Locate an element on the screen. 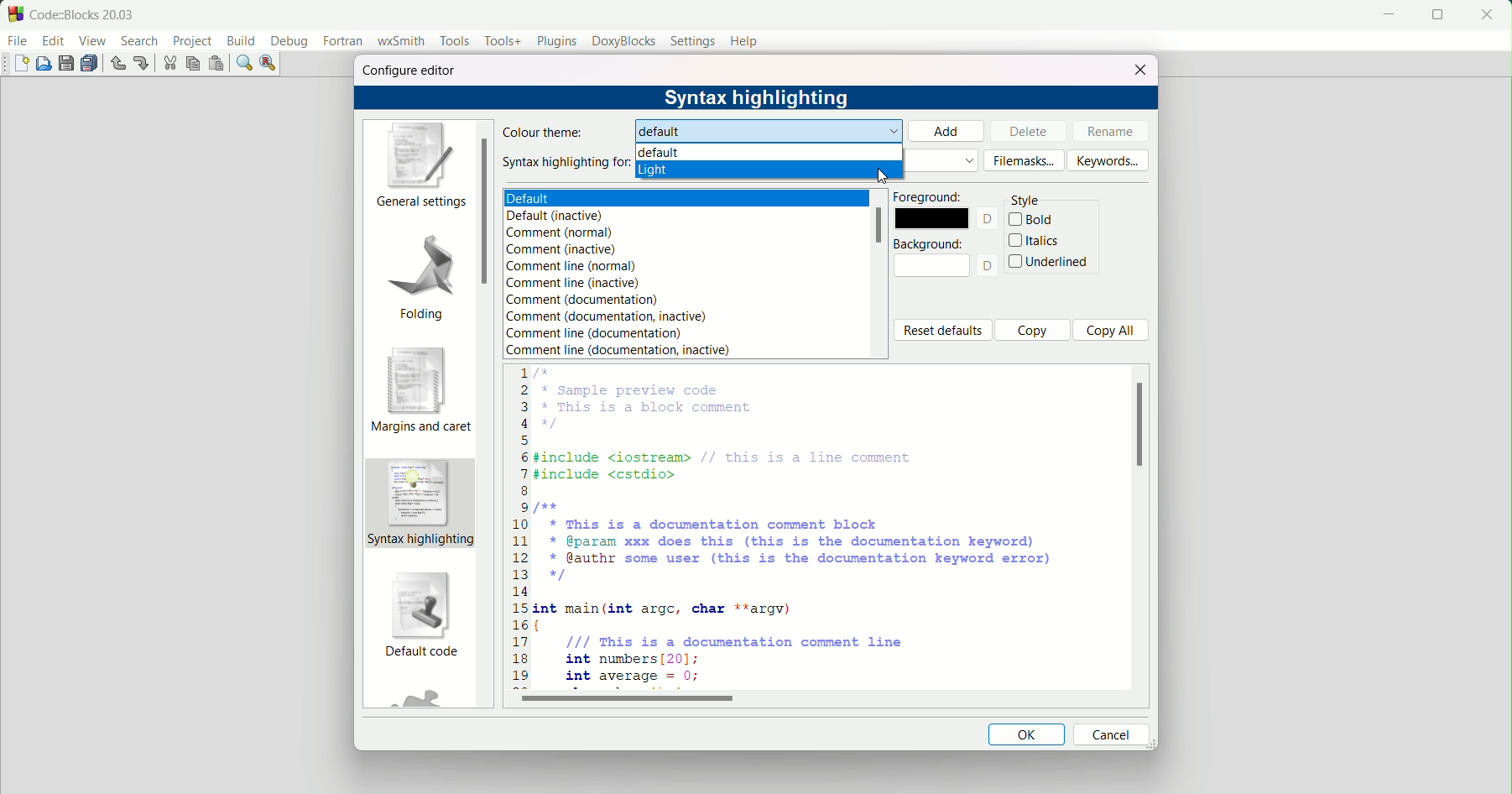 This screenshot has height=794, width=1512. save is located at coordinates (66, 62).